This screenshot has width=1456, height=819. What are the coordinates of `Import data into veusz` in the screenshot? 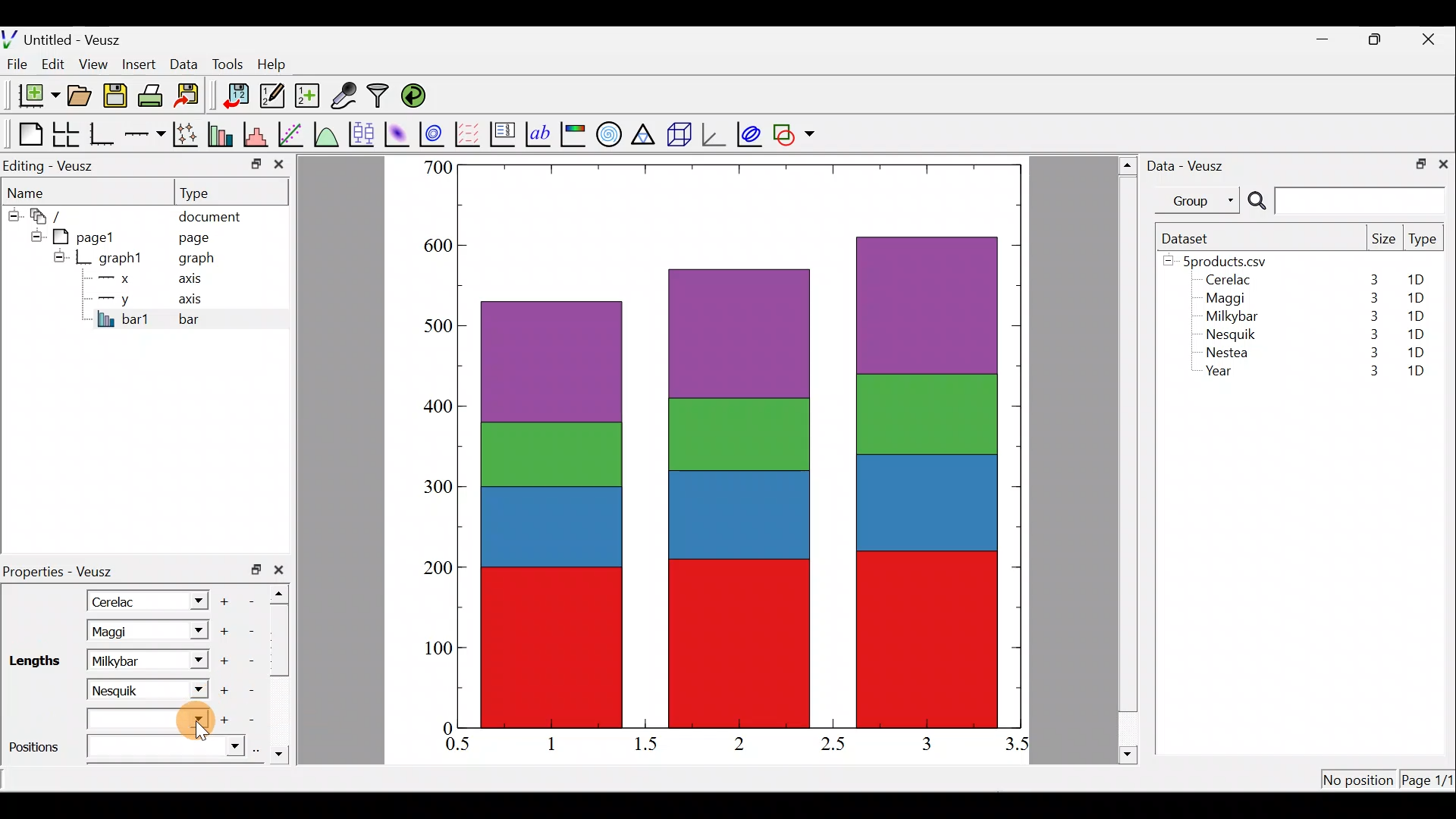 It's located at (237, 96).